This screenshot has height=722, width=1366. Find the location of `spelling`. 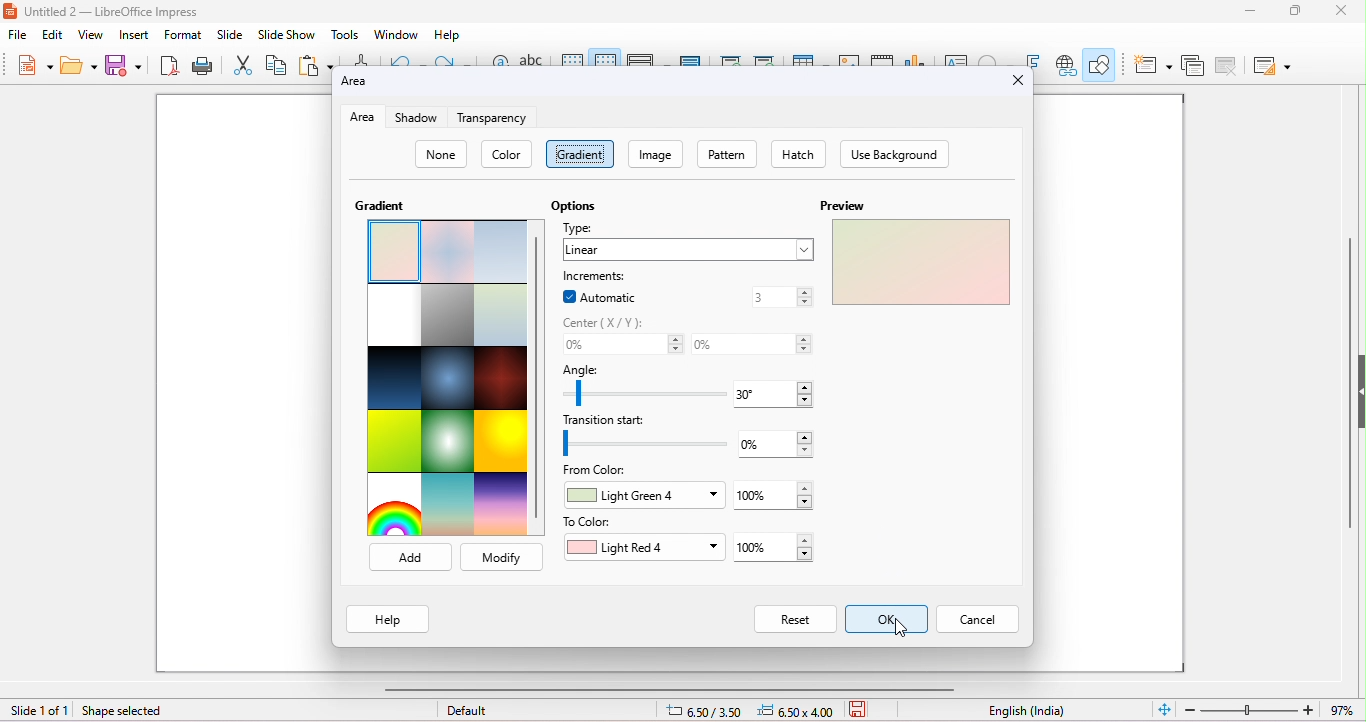

spelling is located at coordinates (531, 58).